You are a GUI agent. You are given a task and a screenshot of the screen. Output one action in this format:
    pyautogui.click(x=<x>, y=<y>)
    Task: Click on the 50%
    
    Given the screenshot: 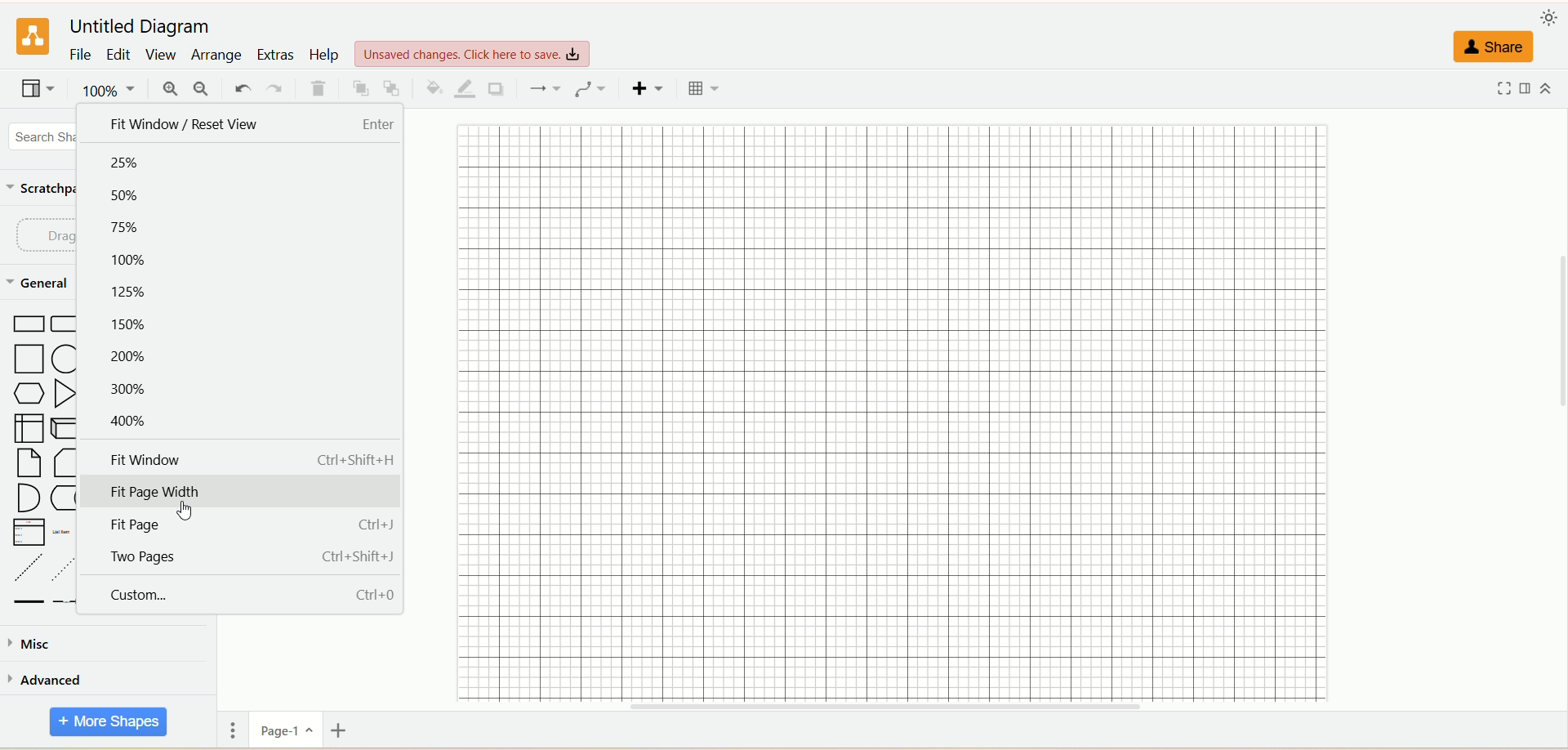 What is the action you would take?
    pyautogui.click(x=128, y=196)
    